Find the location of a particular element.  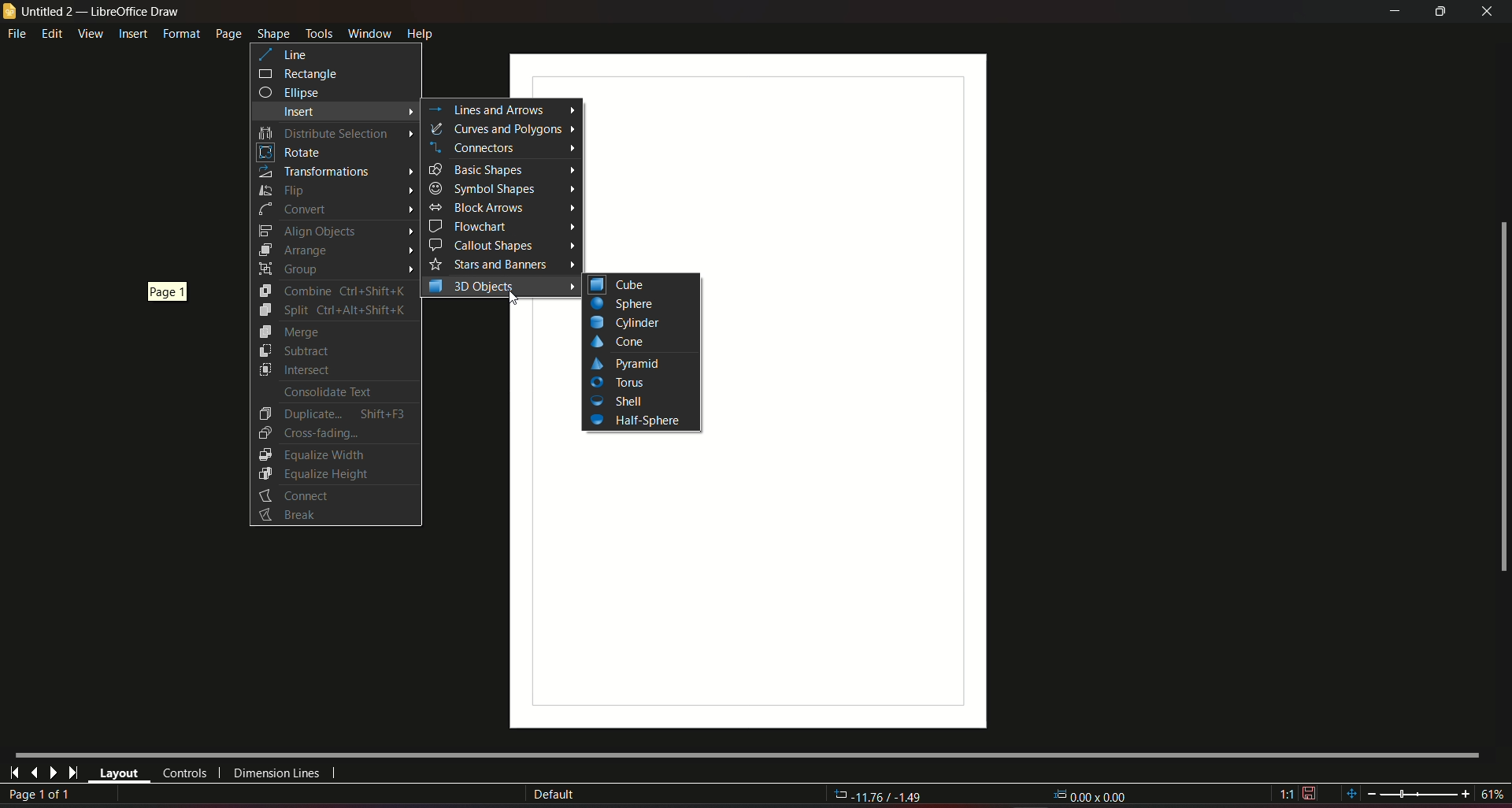

last page is located at coordinates (72, 773).